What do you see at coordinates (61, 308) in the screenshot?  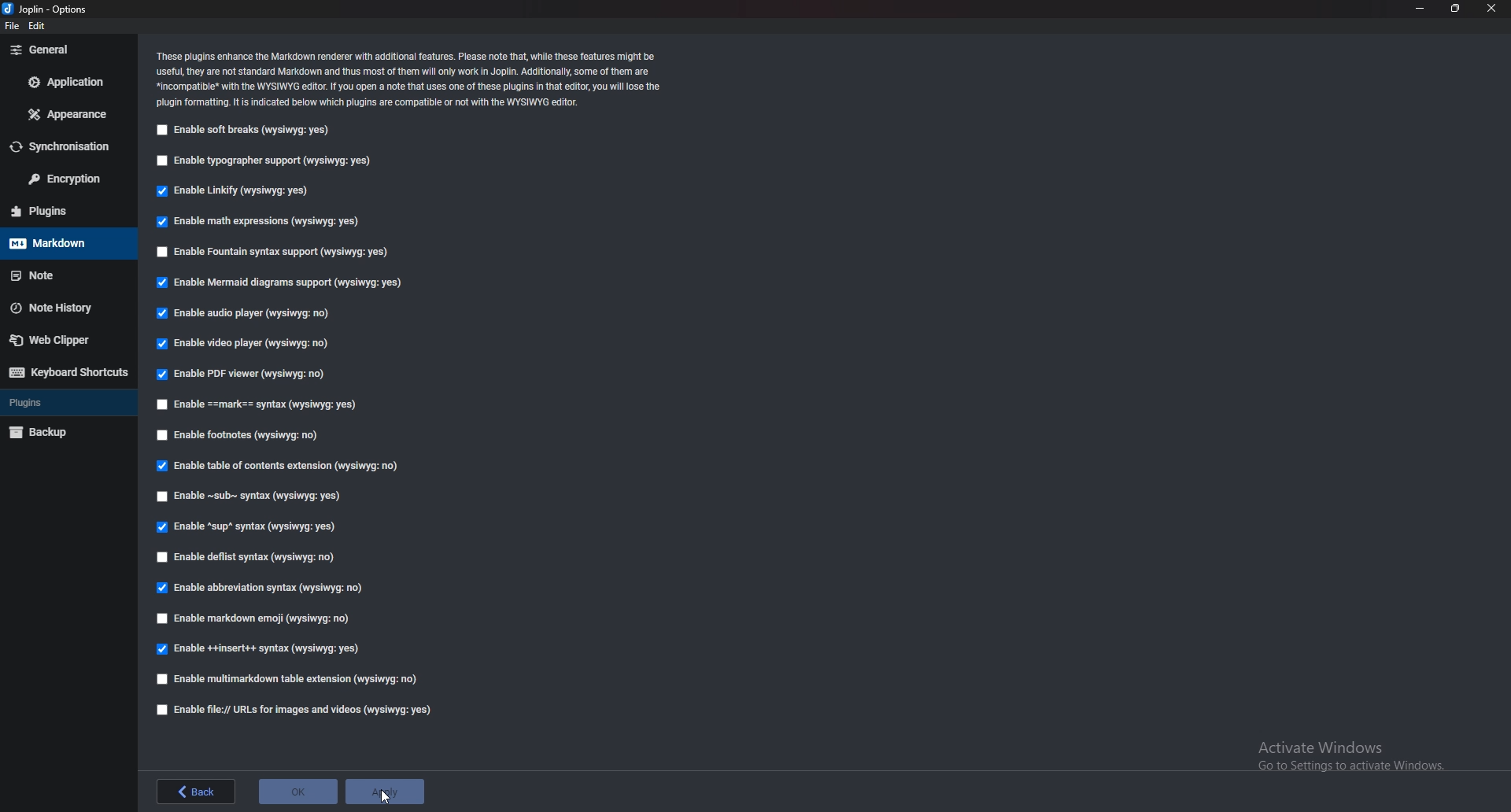 I see `Note history` at bounding box center [61, 308].